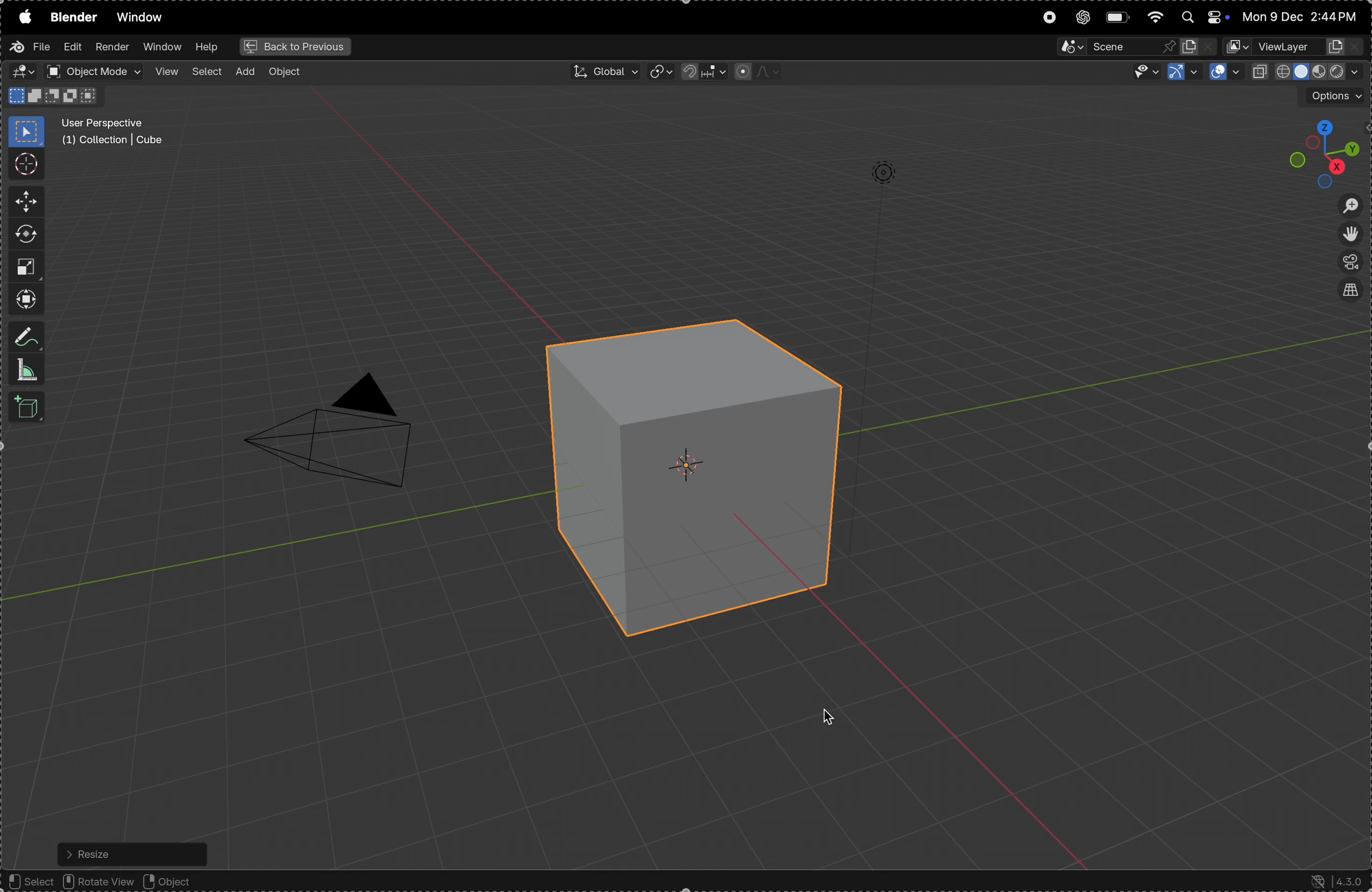  I want to click on rotate, so click(24, 233).